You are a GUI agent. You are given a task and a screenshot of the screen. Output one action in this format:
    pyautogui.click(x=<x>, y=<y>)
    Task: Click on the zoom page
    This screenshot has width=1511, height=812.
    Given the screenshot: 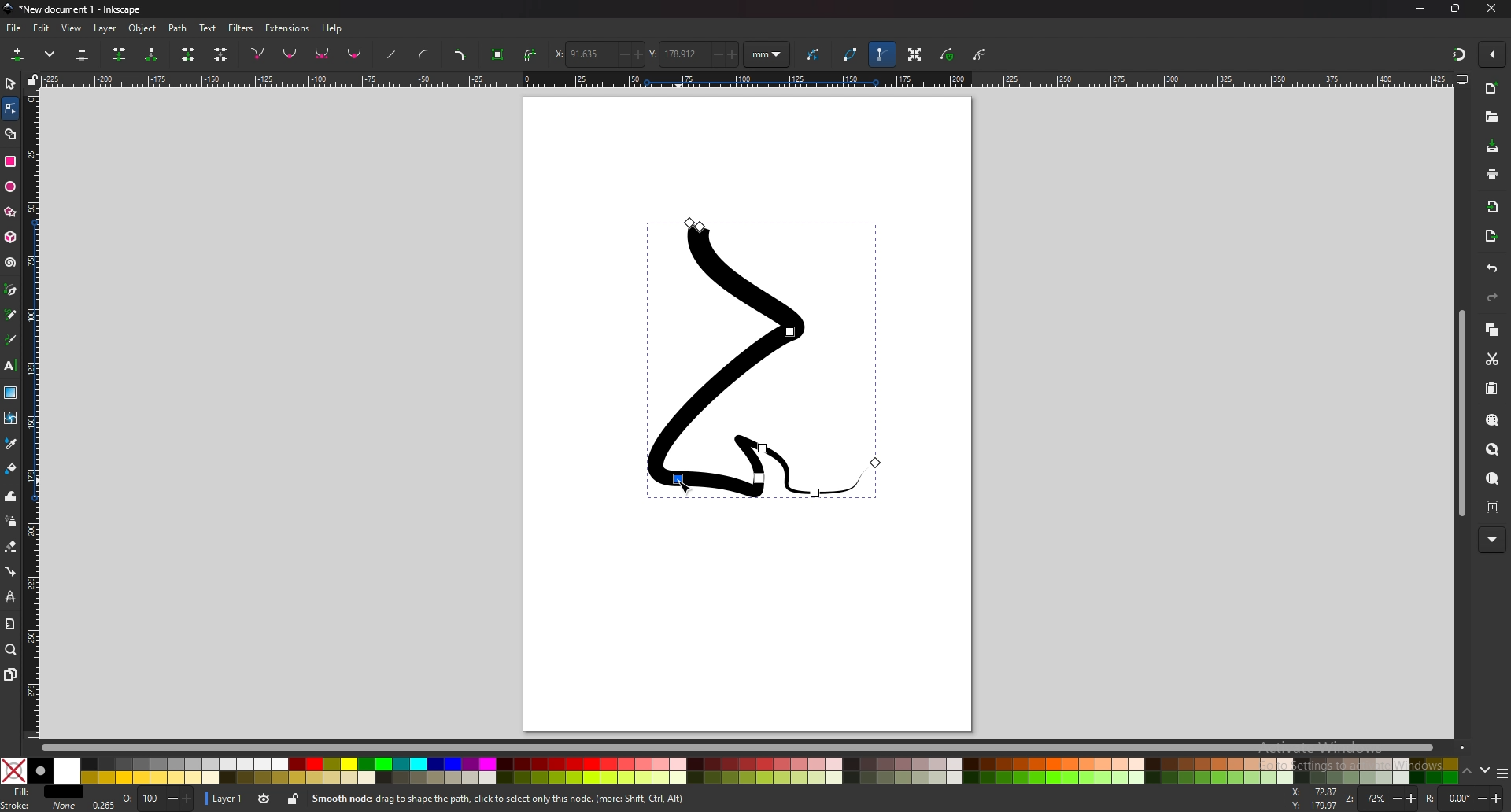 What is the action you would take?
    pyautogui.click(x=1493, y=478)
    